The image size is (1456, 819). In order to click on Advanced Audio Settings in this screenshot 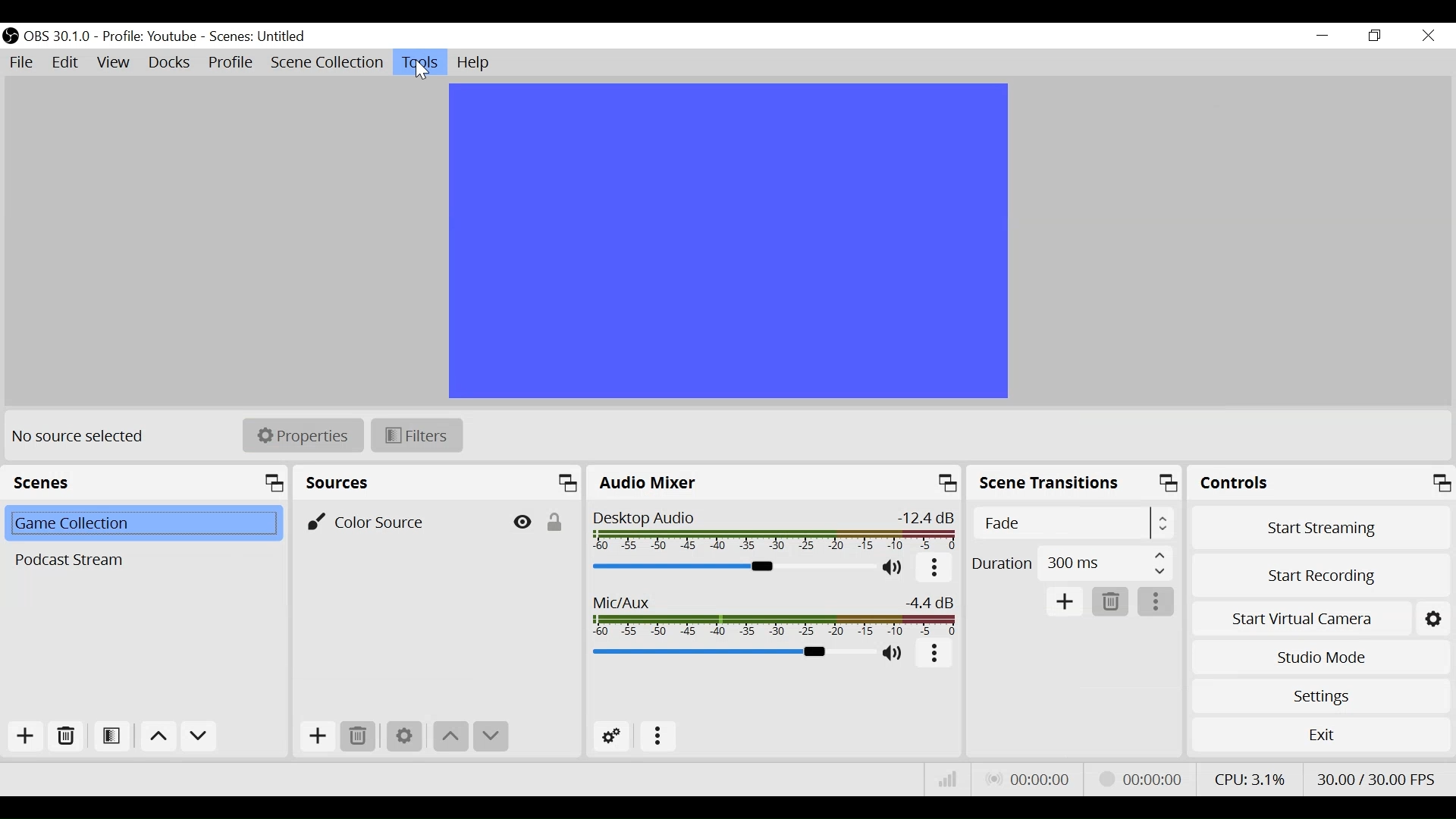, I will do `click(609, 736)`.